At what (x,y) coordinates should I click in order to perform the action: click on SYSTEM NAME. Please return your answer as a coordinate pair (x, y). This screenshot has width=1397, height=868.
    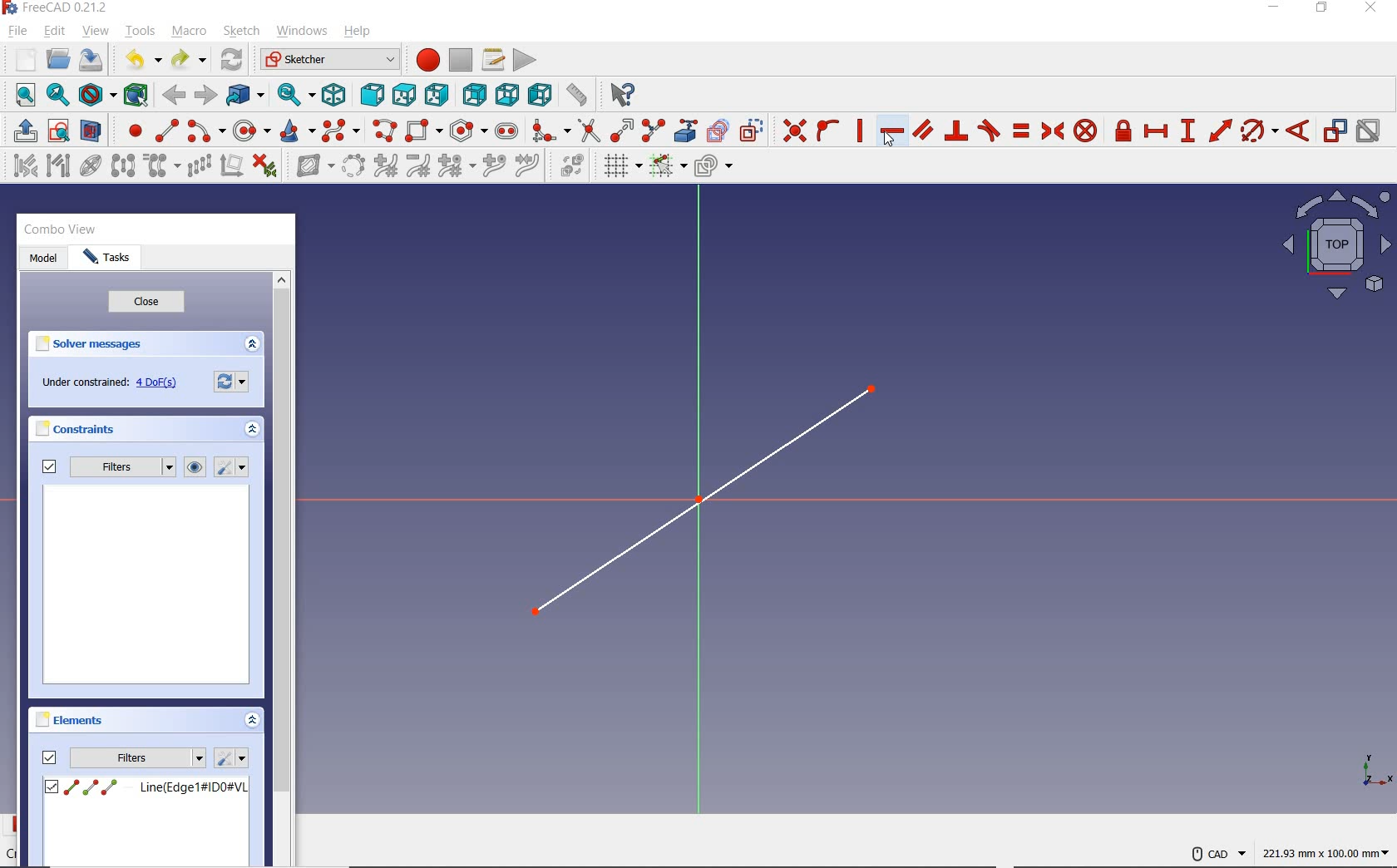
    Looking at the image, I should click on (59, 8).